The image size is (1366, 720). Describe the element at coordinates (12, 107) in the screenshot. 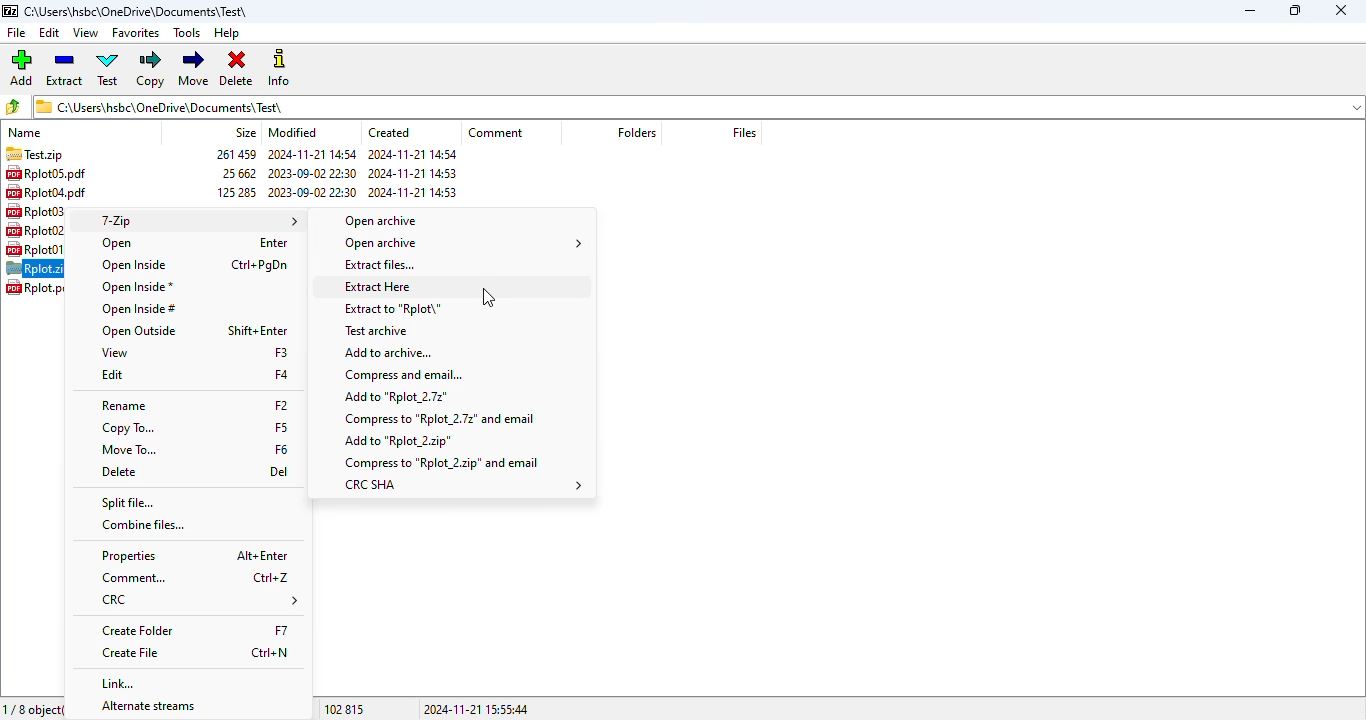

I see `browse files` at that location.